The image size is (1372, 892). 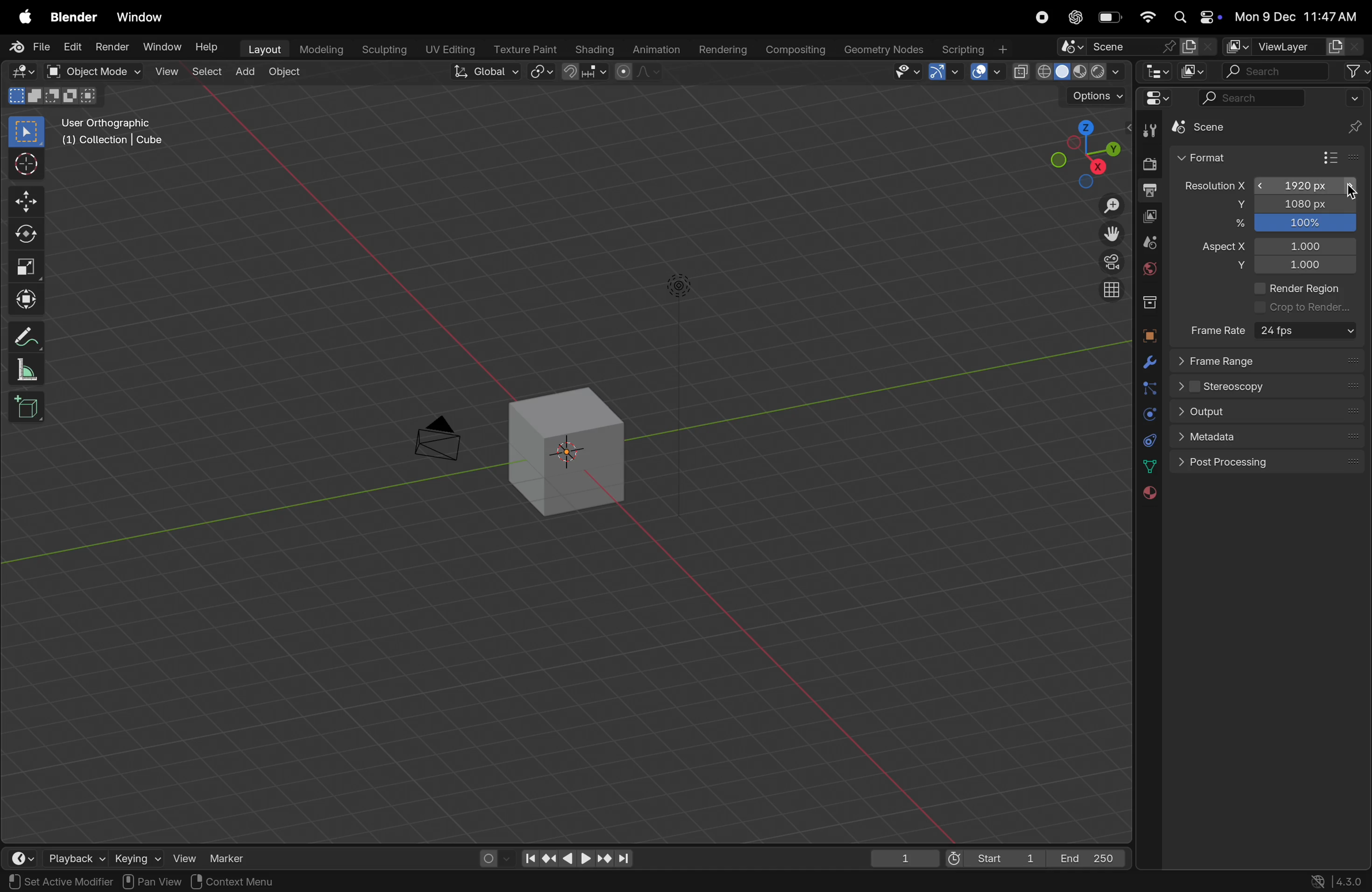 I want to click on cube, so click(x=569, y=448).